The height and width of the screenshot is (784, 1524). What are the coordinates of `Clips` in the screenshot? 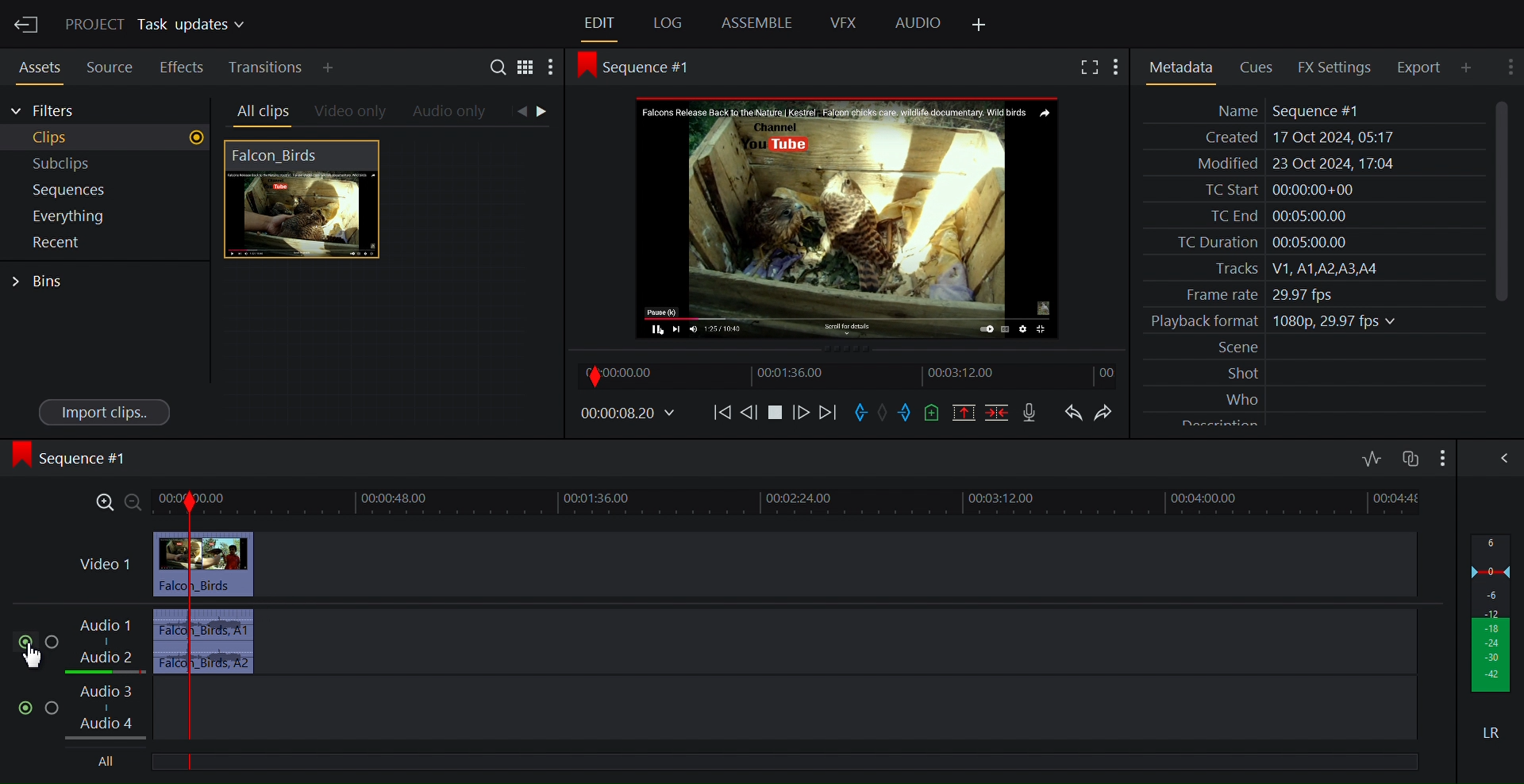 It's located at (106, 138).